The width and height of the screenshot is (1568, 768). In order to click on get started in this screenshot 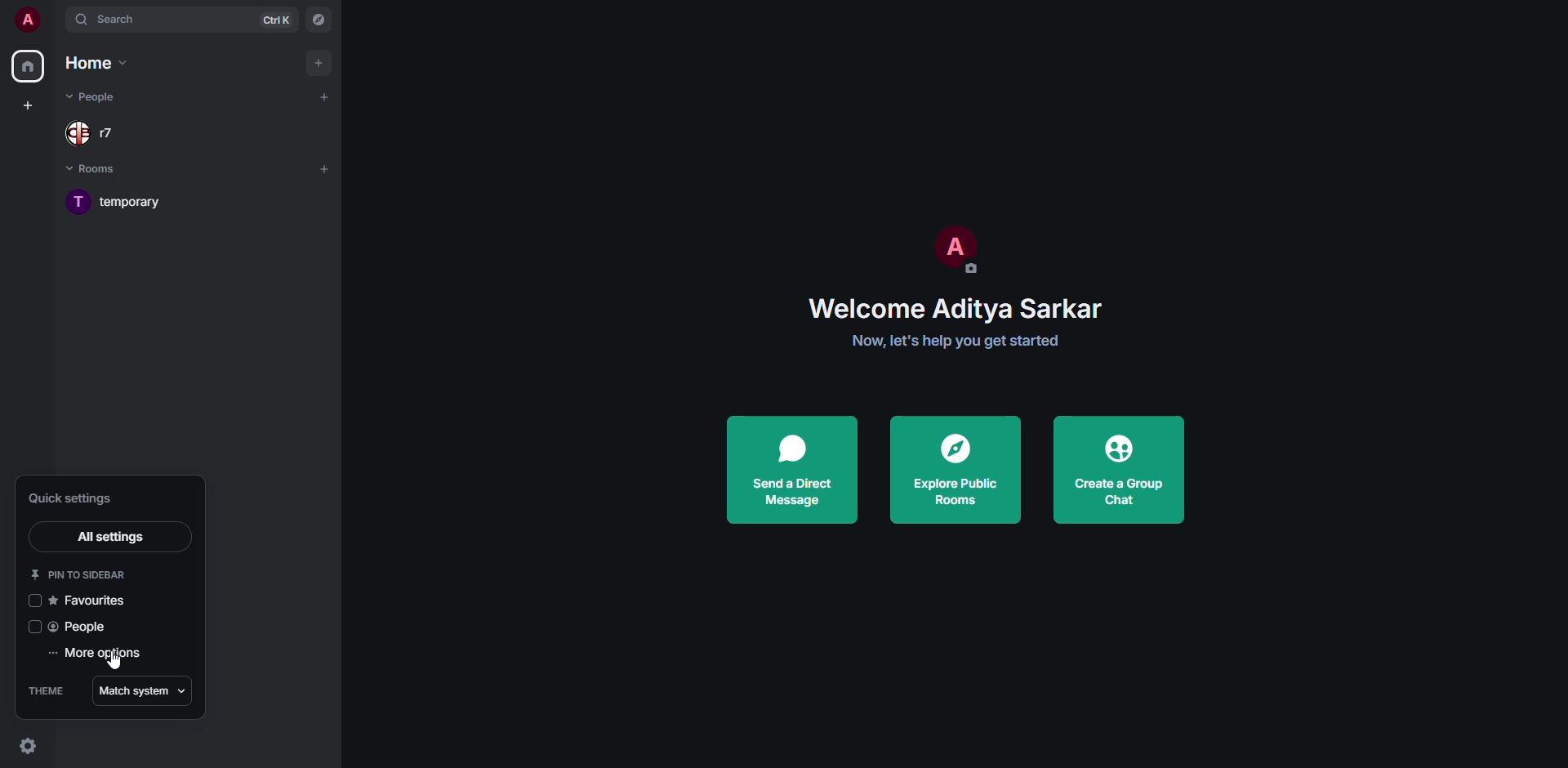, I will do `click(956, 342)`.